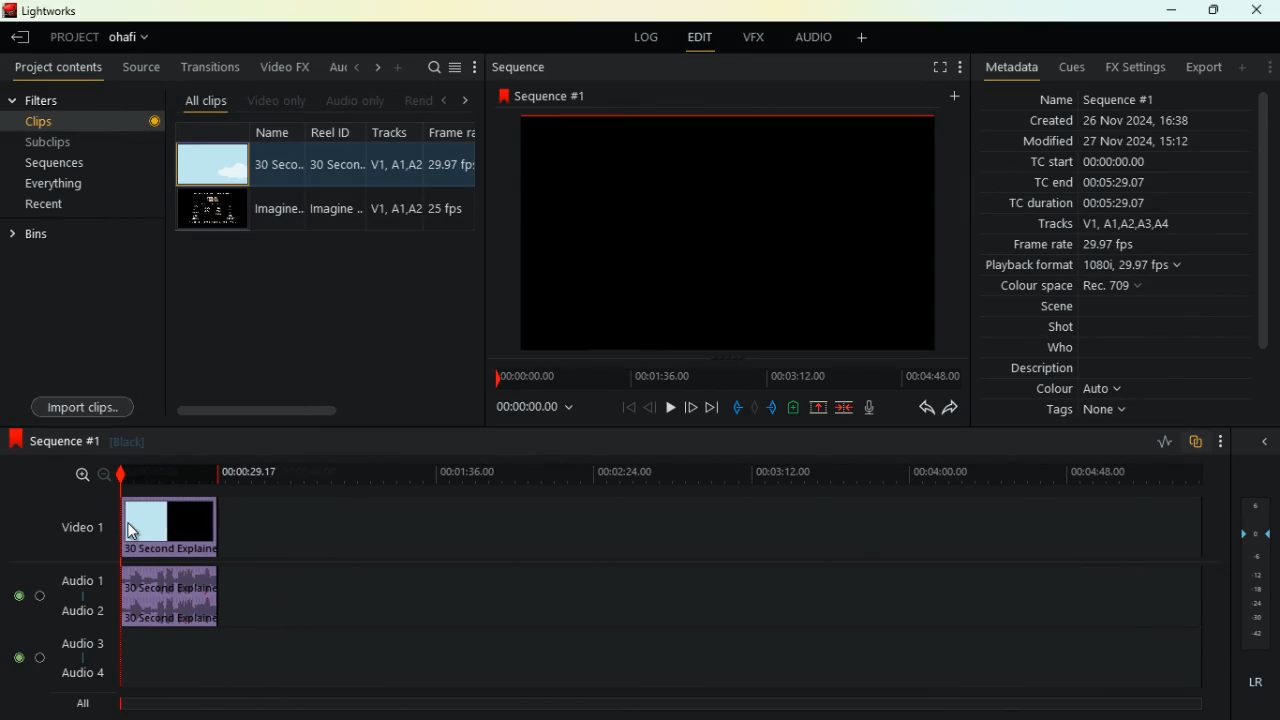  I want to click on more, so click(957, 67).